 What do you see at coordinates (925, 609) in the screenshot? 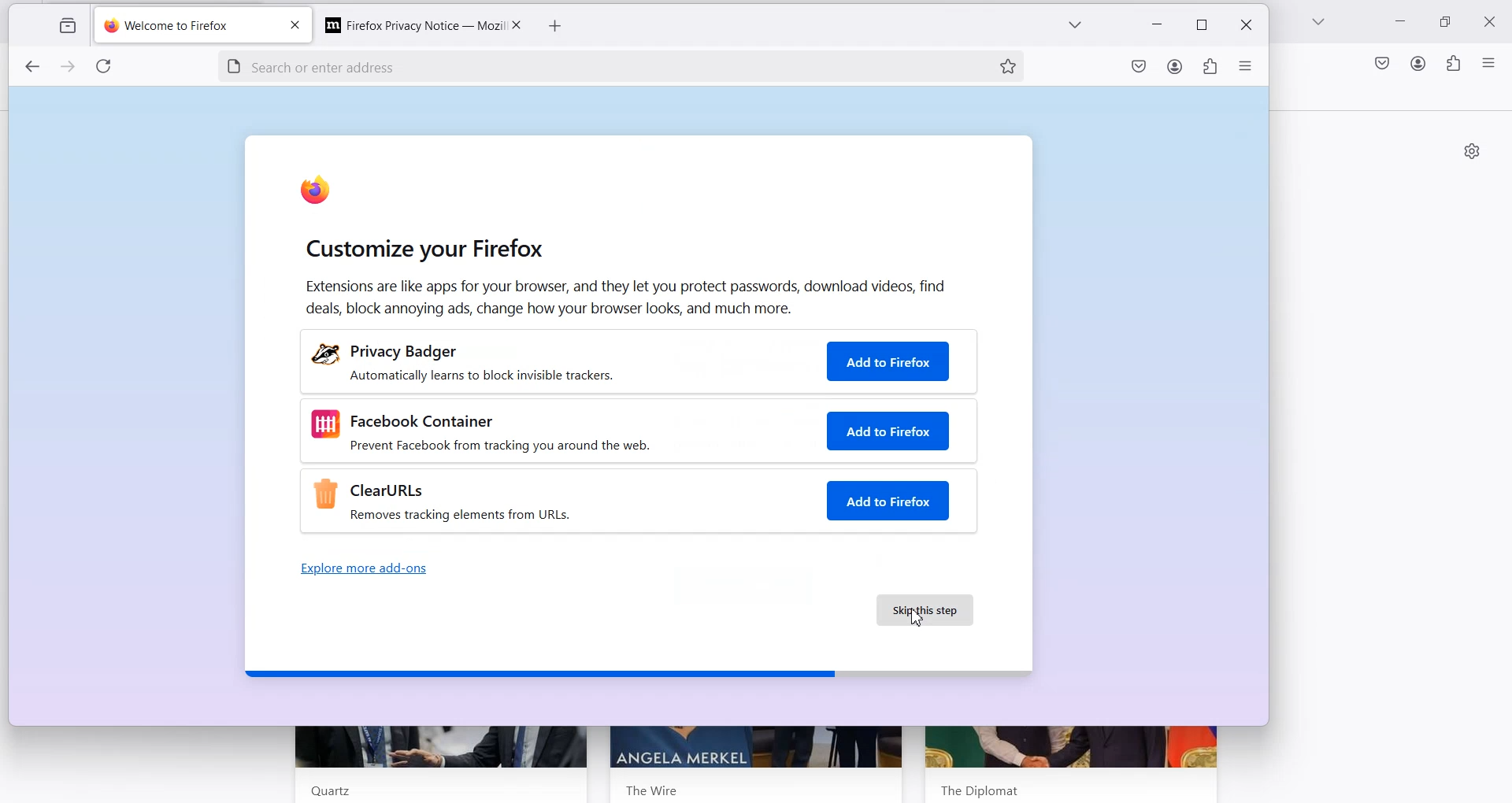
I see `Skip this Step` at bounding box center [925, 609].